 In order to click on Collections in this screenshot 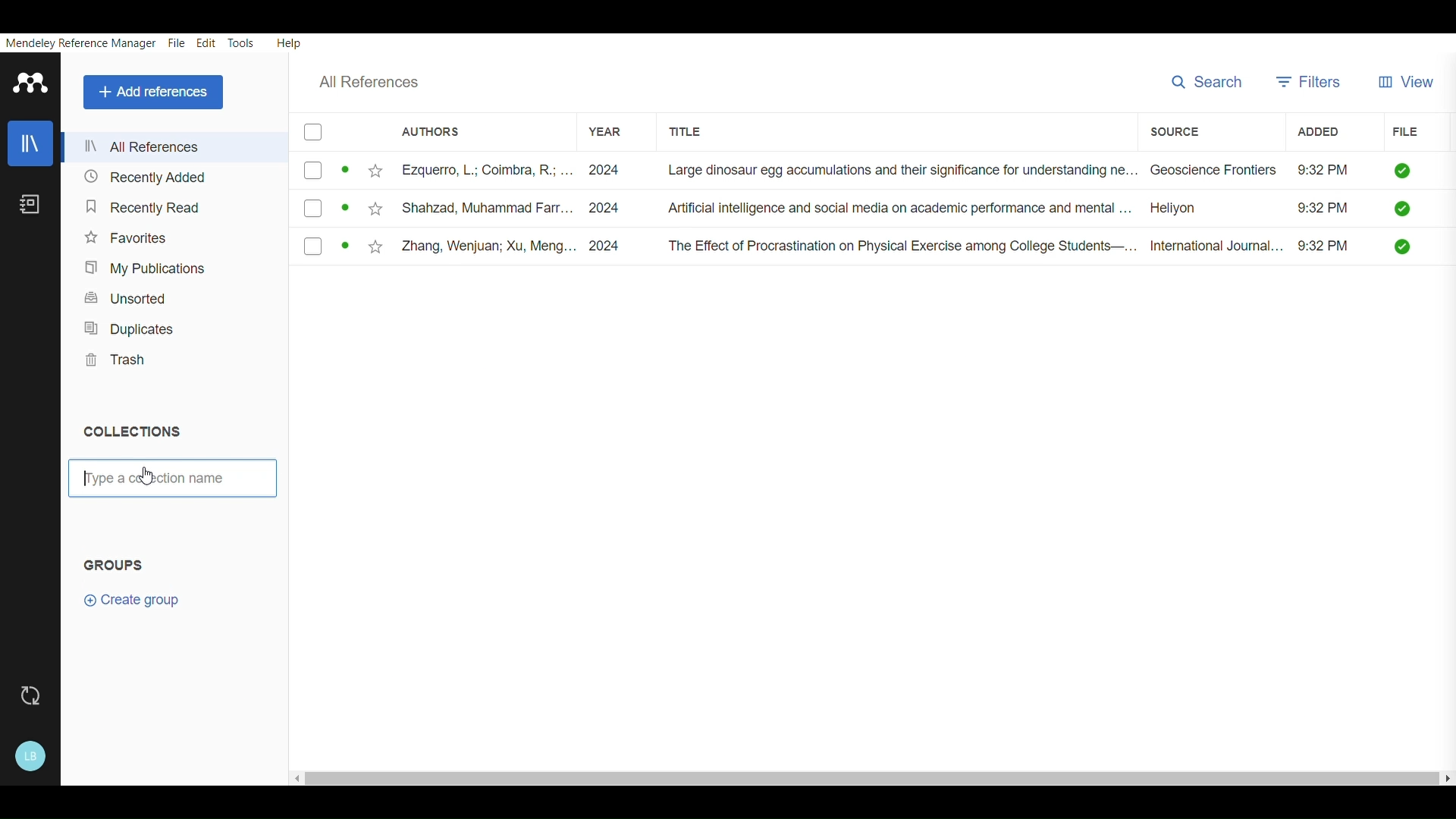, I will do `click(140, 432)`.